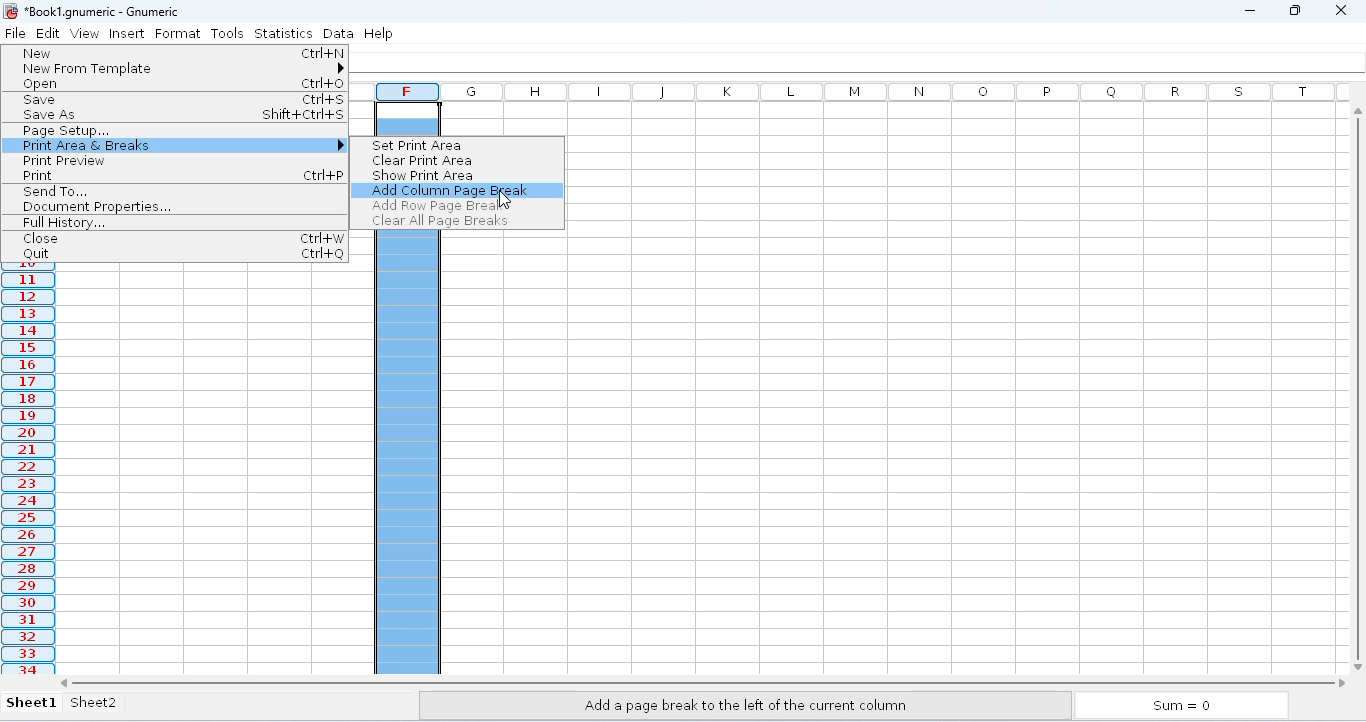  What do you see at coordinates (38, 53) in the screenshot?
I see `new` at bounding box center [38, 53].